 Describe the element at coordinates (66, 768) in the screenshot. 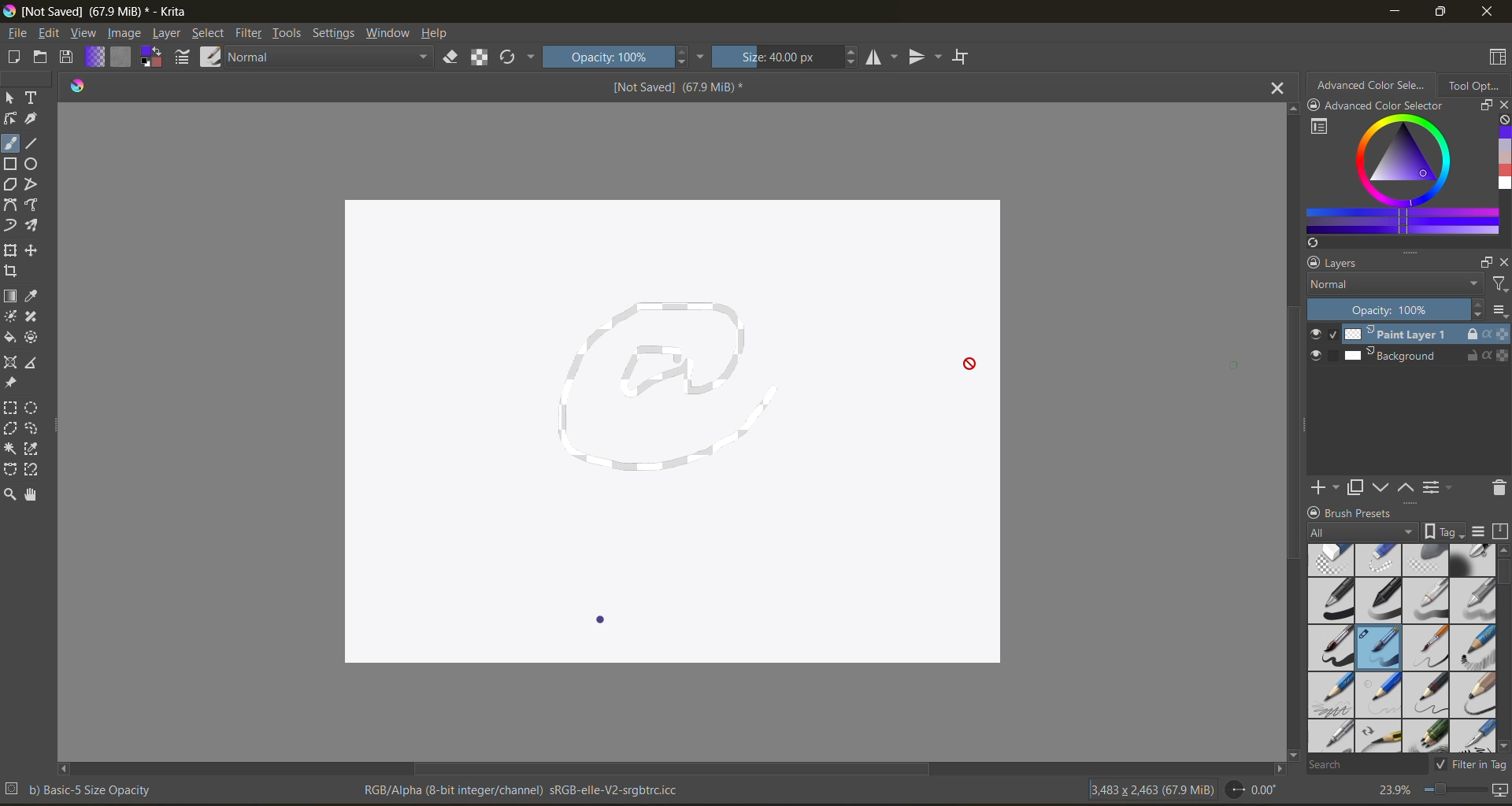

I see `scroll right` at that location.